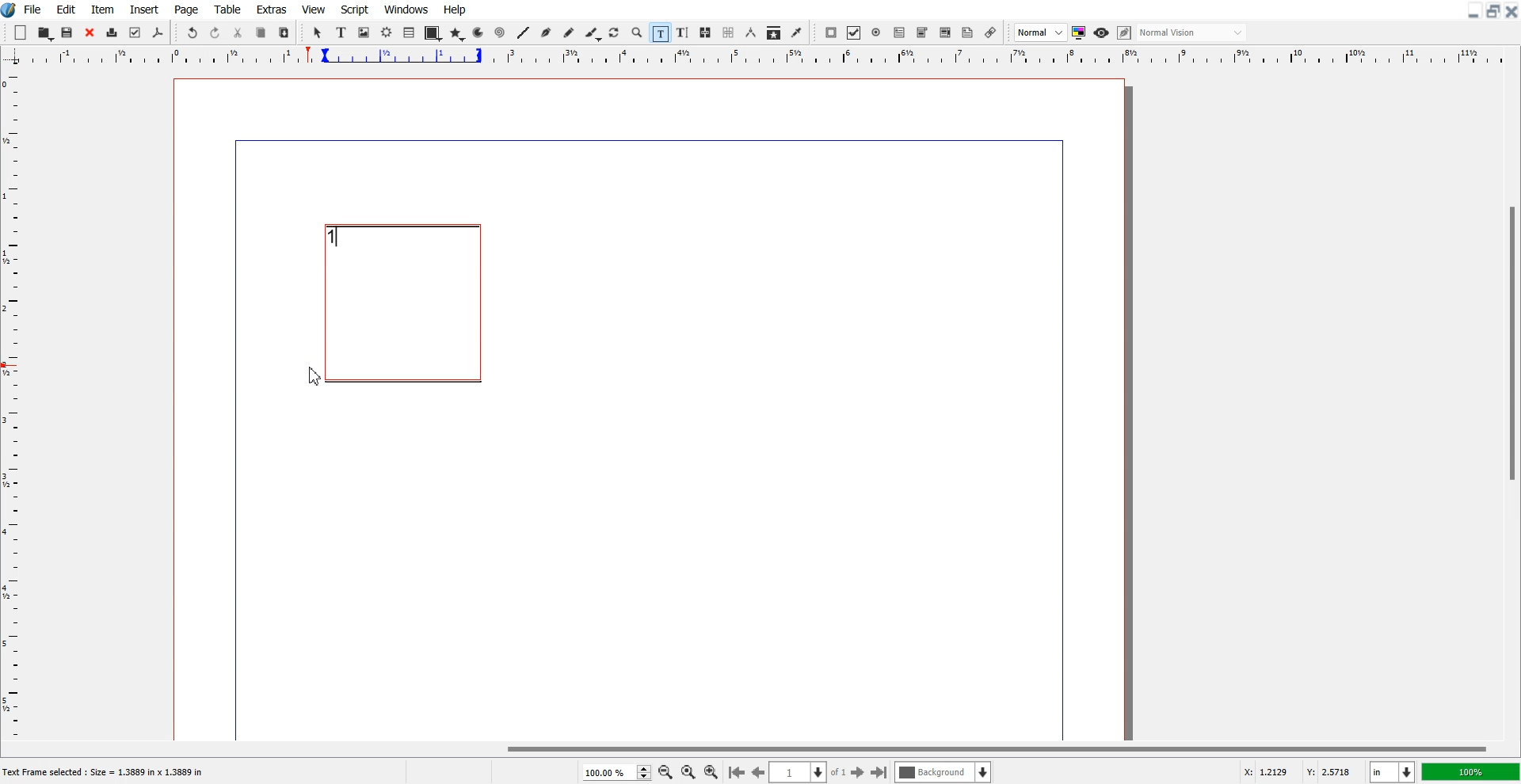 This screenshot has height=784, width=1521. What do you see at coordinates (637, 32) in the screenshot?
I see `Zoom In or Out` at bounding box center [637, 32].